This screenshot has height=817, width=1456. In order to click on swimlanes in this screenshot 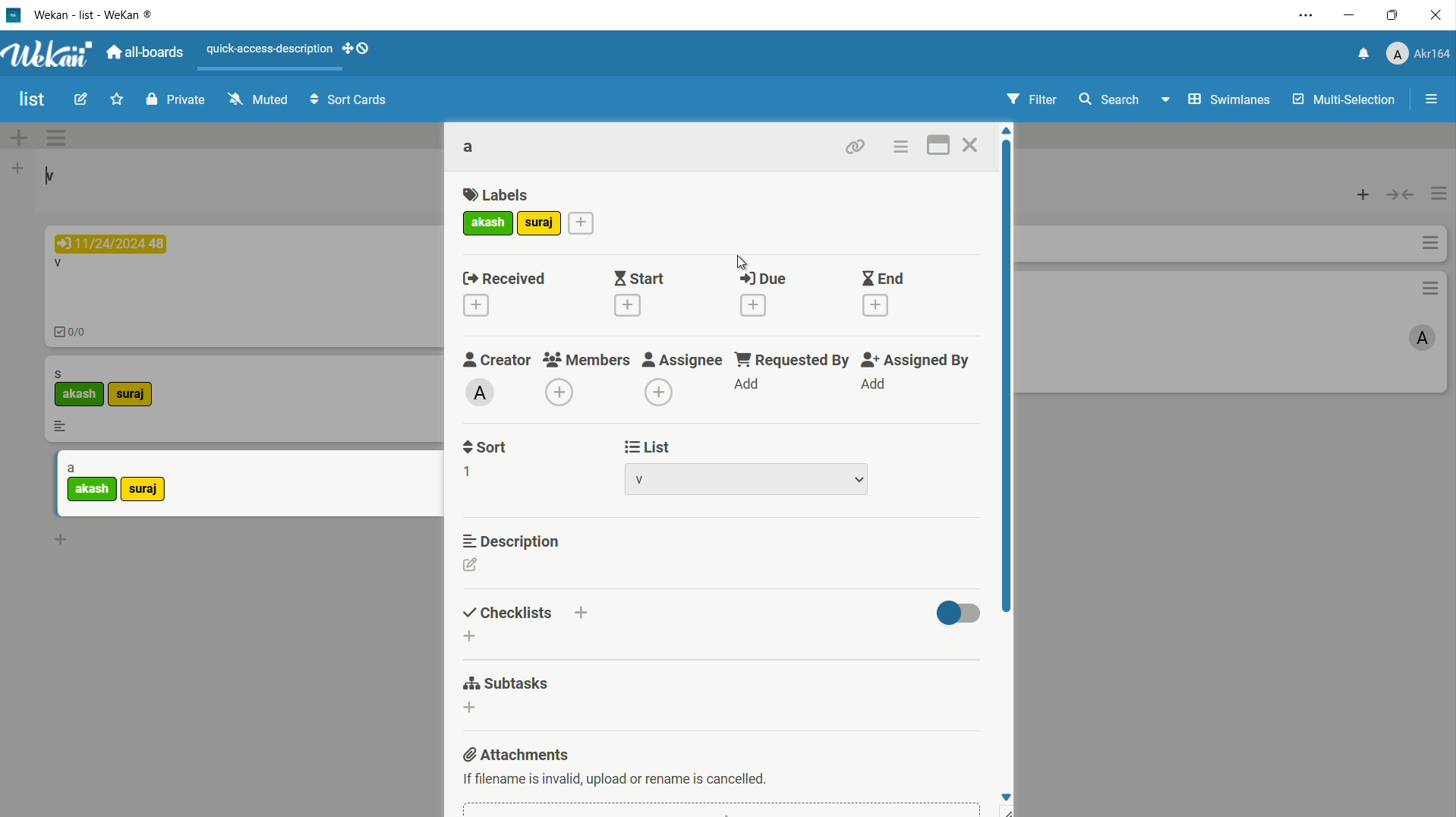, I will do `click(1217, 99)`.